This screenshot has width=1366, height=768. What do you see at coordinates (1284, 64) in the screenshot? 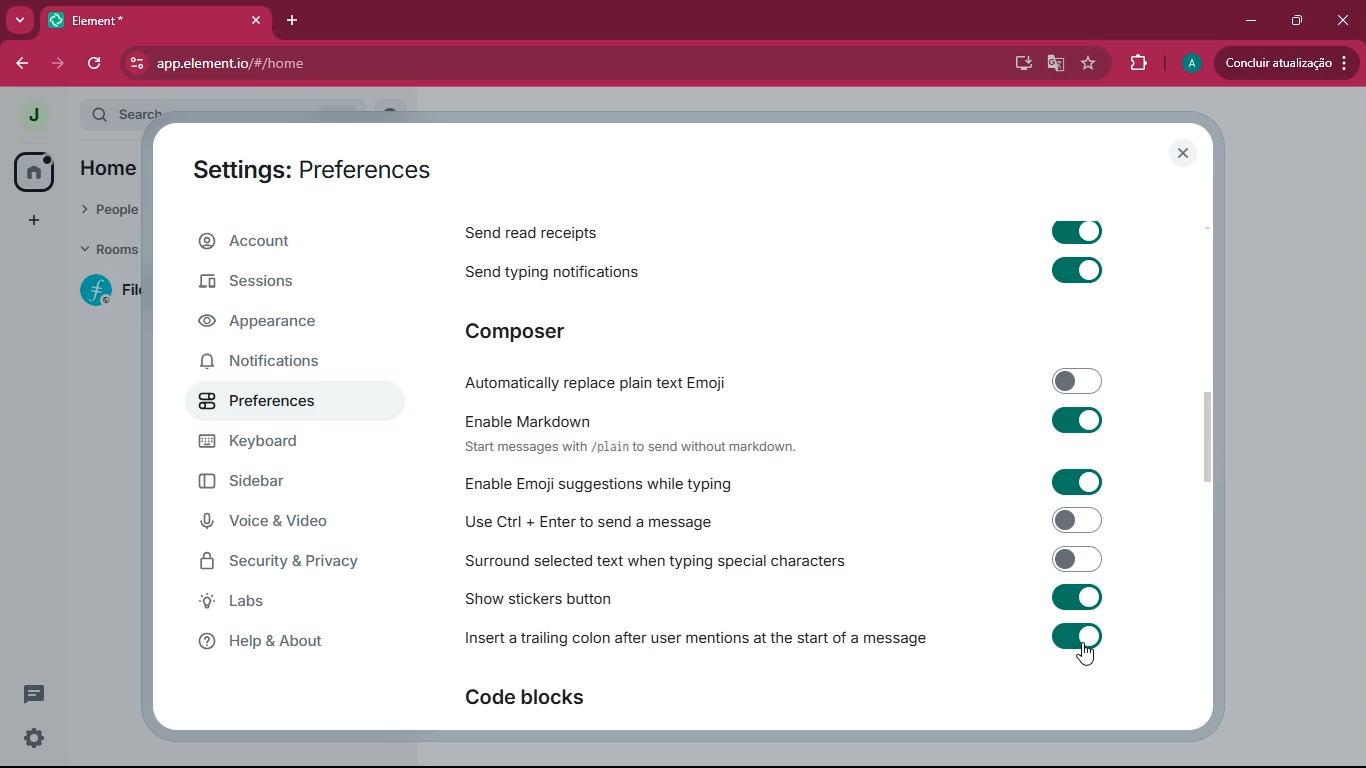
I see `conduir atualizacao` at bounding box center [1284, 64].